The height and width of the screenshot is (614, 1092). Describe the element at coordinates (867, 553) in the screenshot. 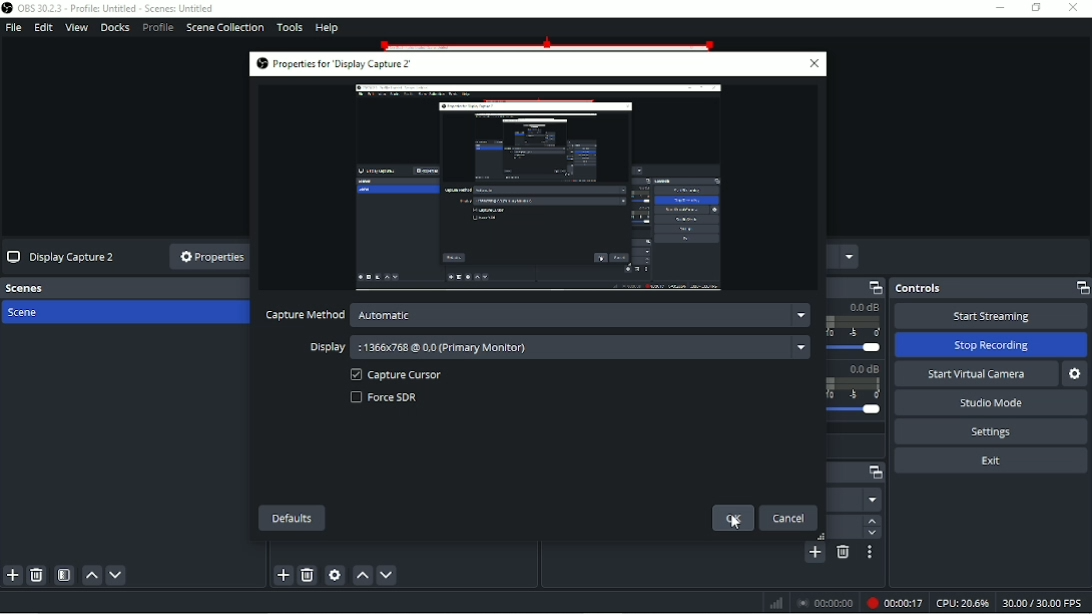

I see `Transition properties` at that location.